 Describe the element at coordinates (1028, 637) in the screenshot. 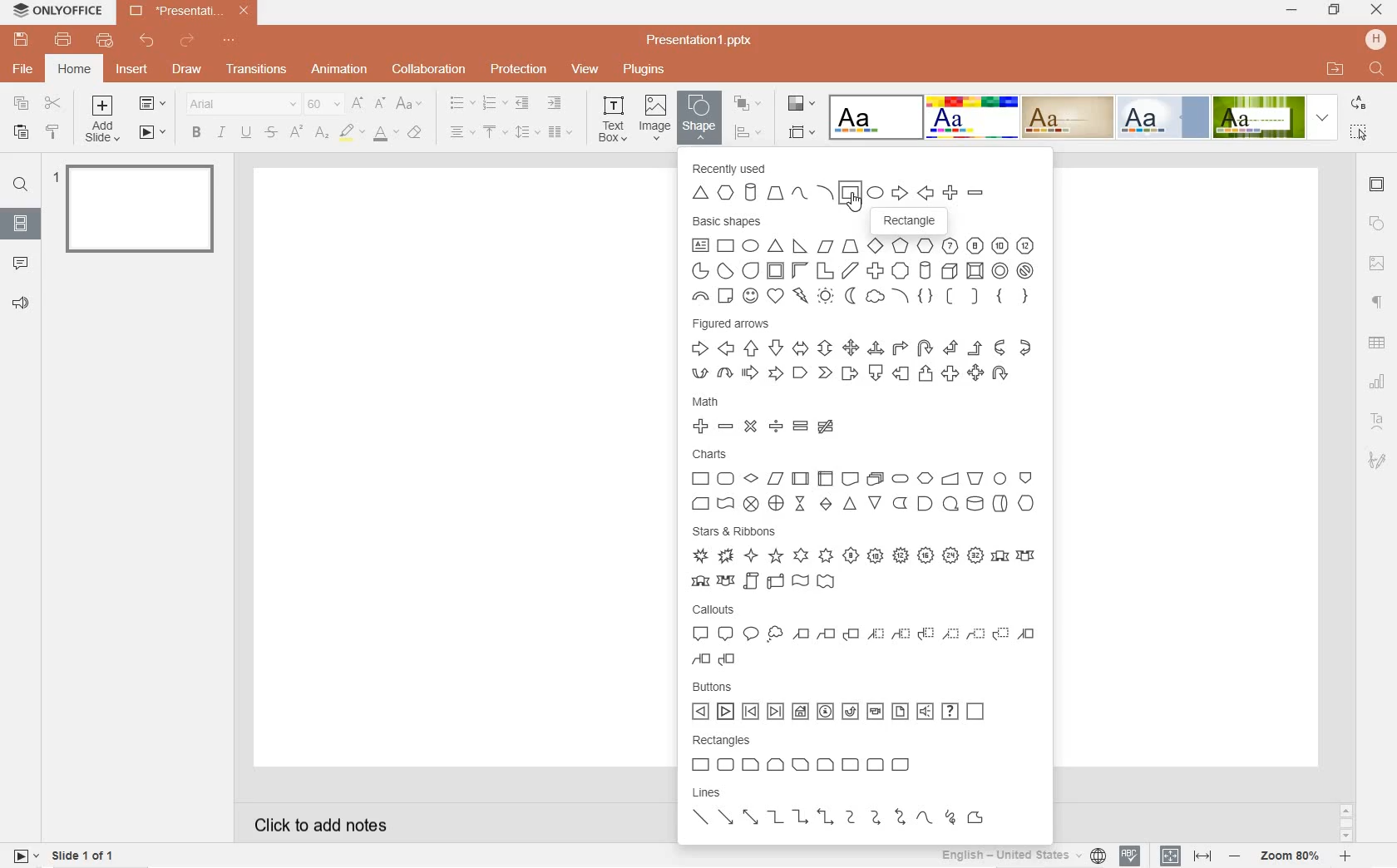

I see `Line Callout 1 (border and accent bar)` at that location.